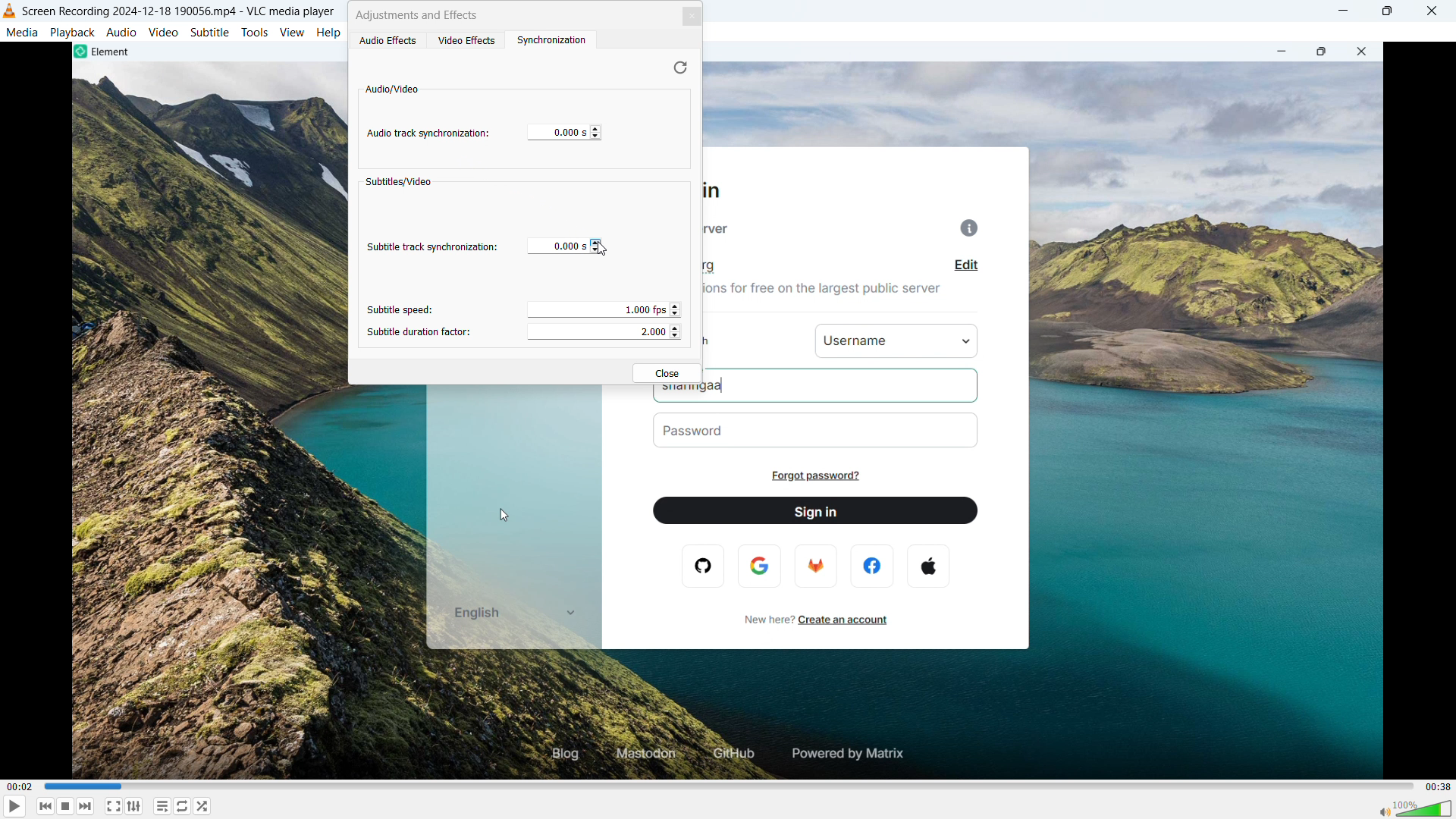 This screenshot has width=1456, height=819. What do you see at coordinates (645, 751) in the screenshot?
I see `mastodon` at bounding box center [645, 751].